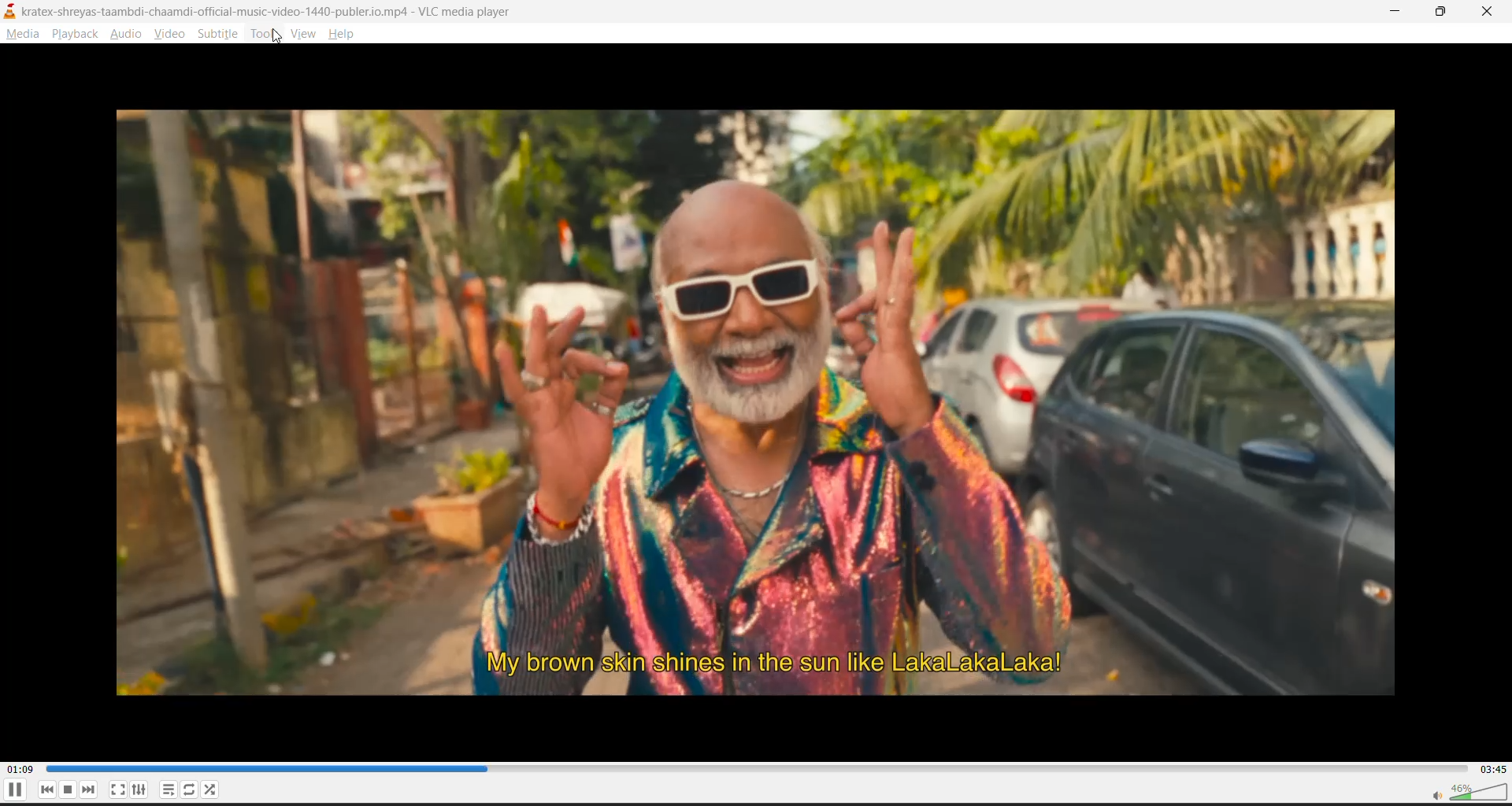 Image resolution: width=1512 pixels, height=806 pixels. Describe the element at coordinates (75, 34) in the screenshot. I see `playback` at that location.